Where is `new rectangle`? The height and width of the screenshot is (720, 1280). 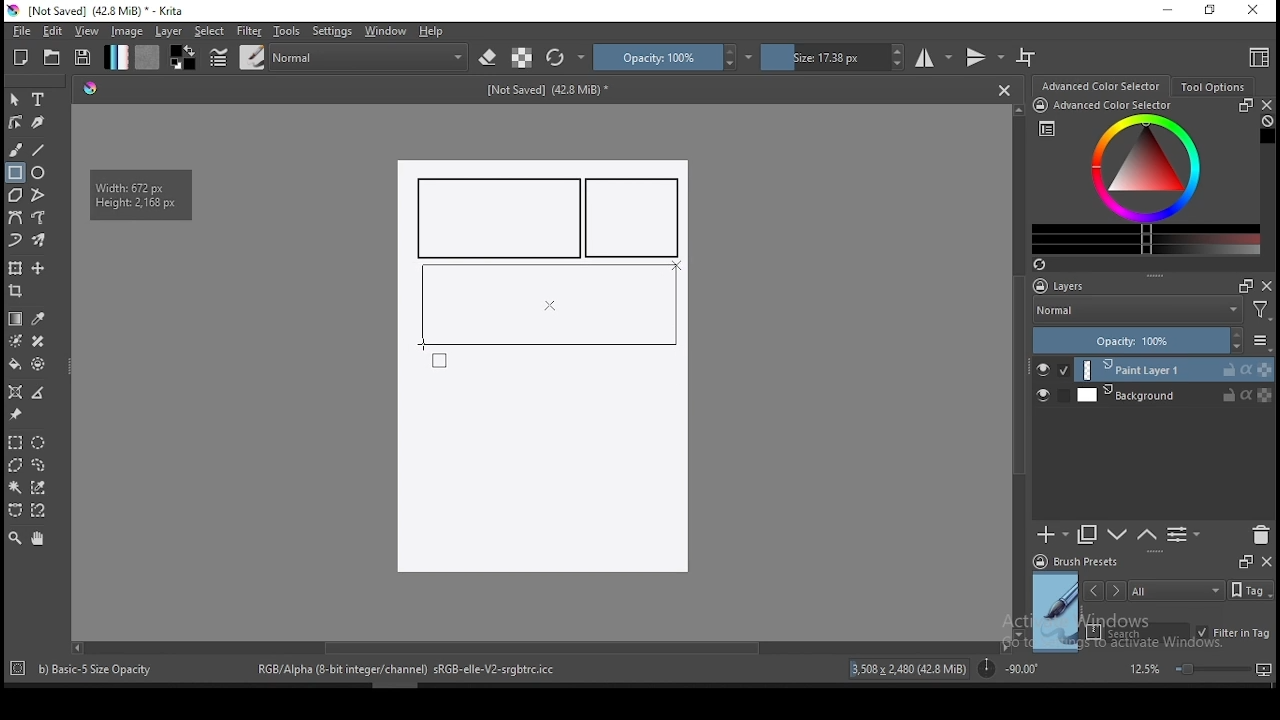
new rectangle is located at coordinates (636, 218).